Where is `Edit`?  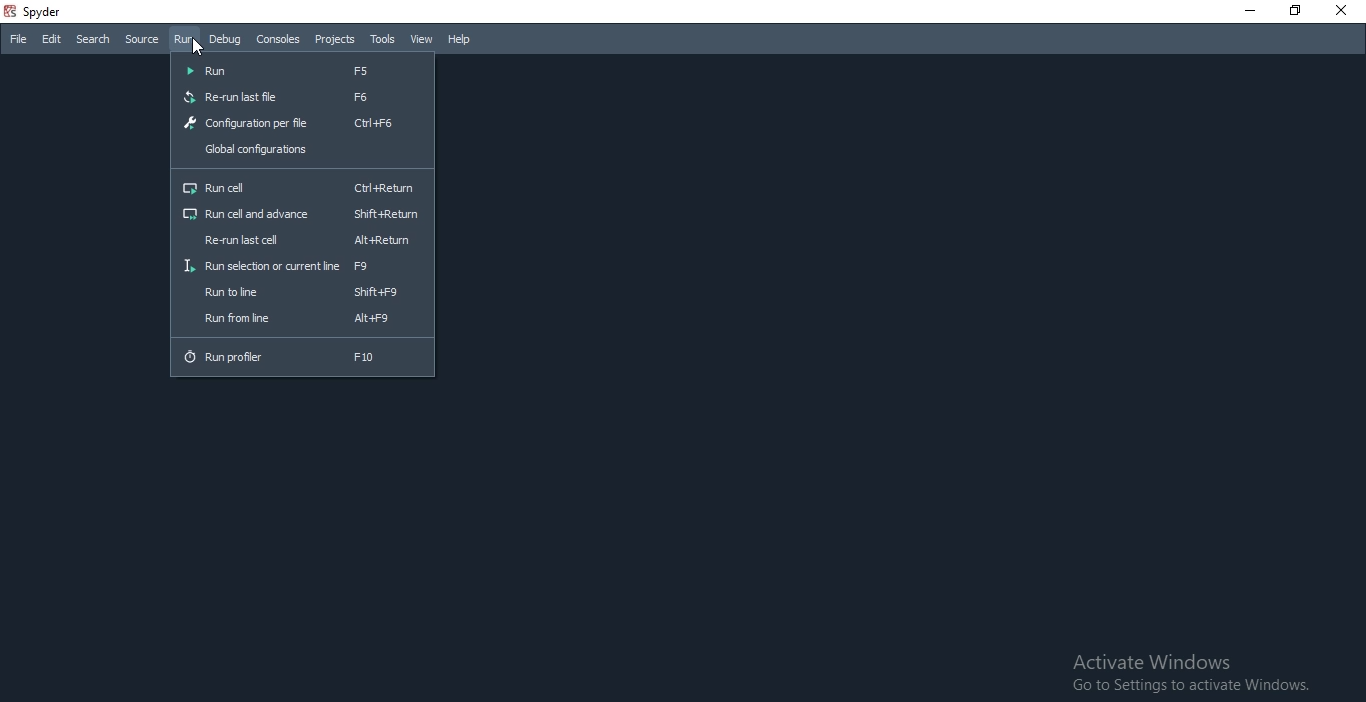 Edit is located at coordinates (52, 39).